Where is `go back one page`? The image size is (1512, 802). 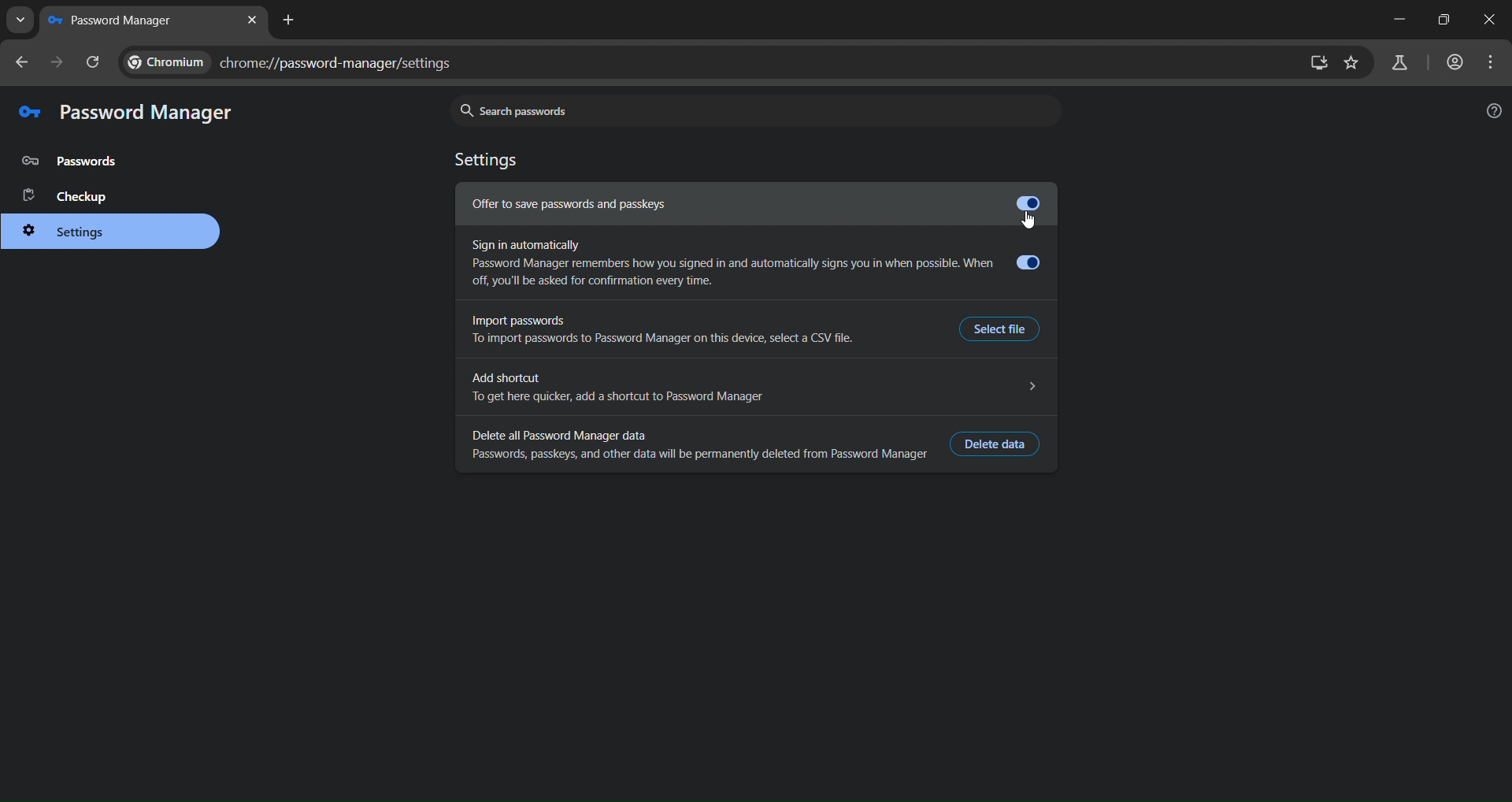
go back one page is located at coordinates (21, 66).